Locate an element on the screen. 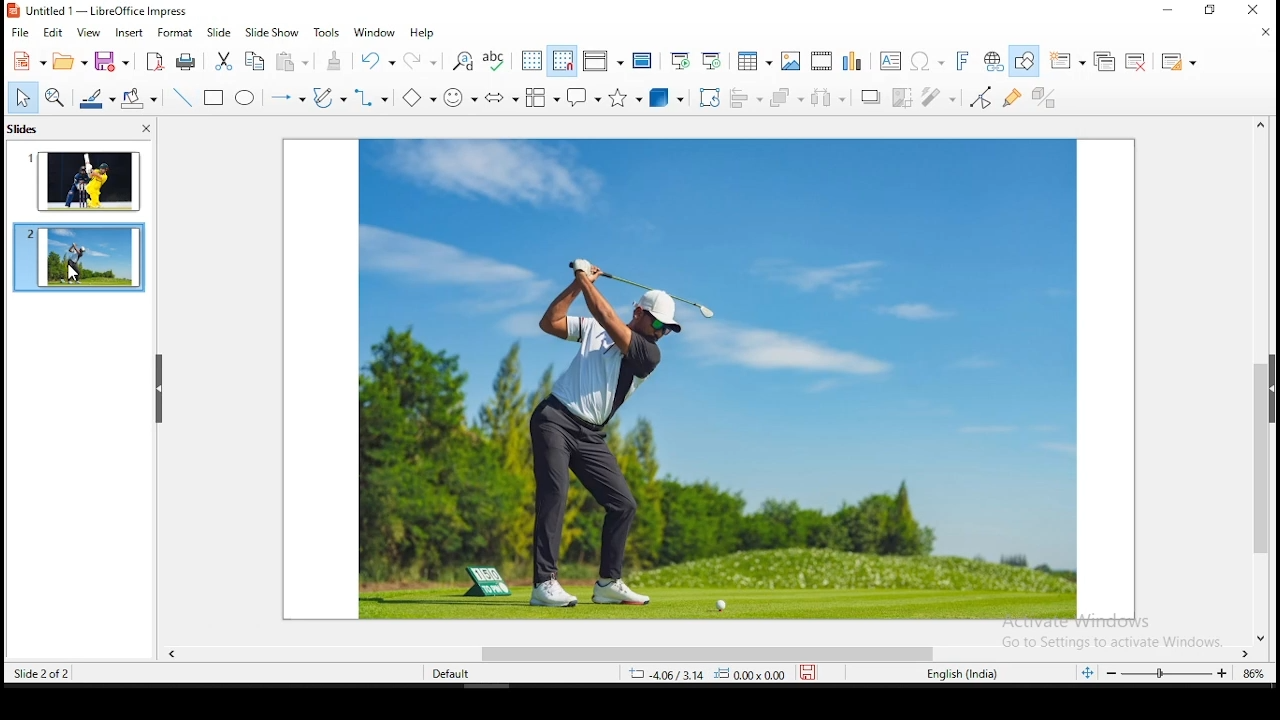 The width and height of the screenshot is (1280, 720). english (india) is located at coordinates (957, 673).